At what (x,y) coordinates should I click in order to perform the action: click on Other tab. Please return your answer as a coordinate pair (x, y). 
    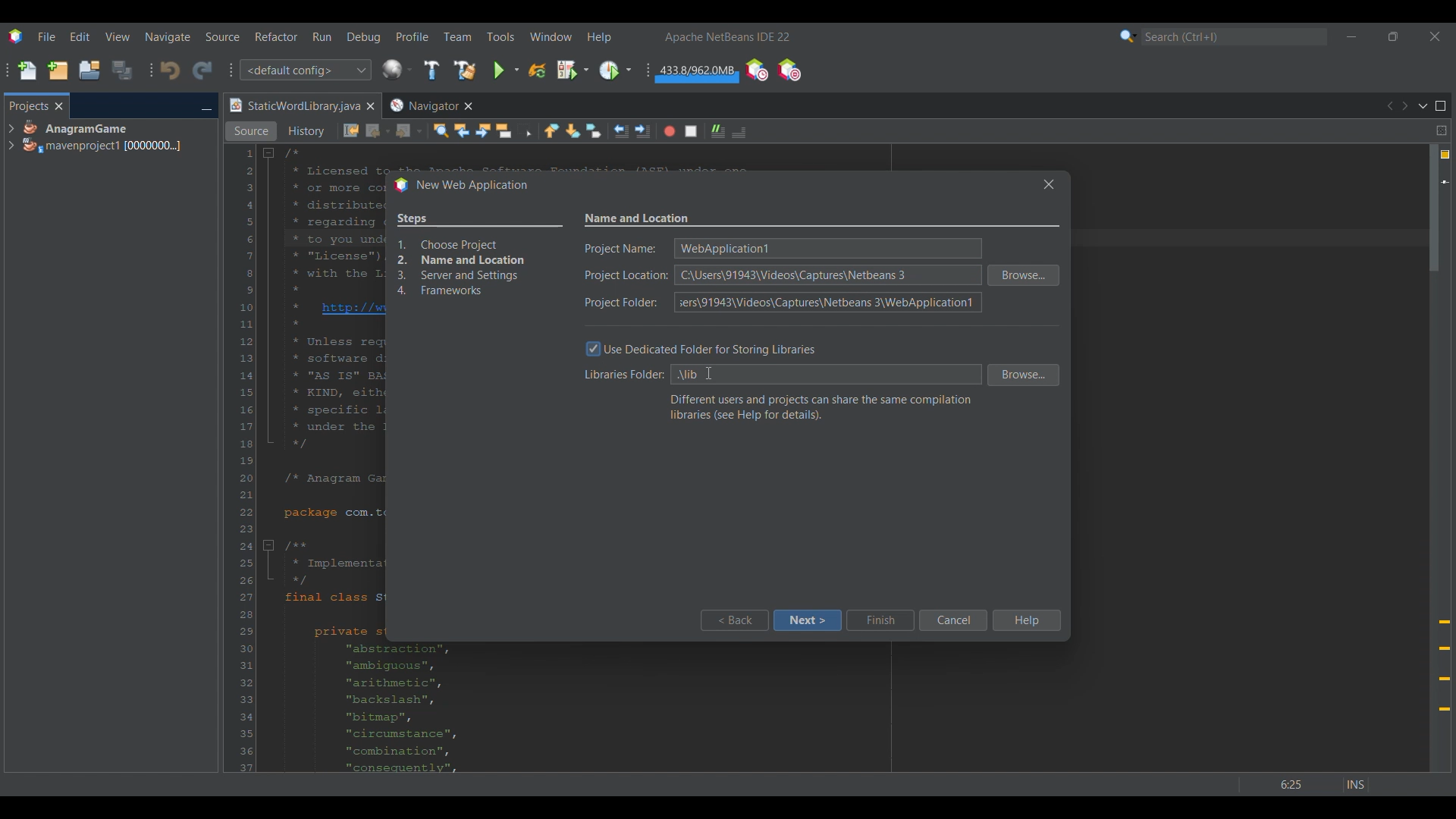
    Looking at the image, I should click on (430, 105).